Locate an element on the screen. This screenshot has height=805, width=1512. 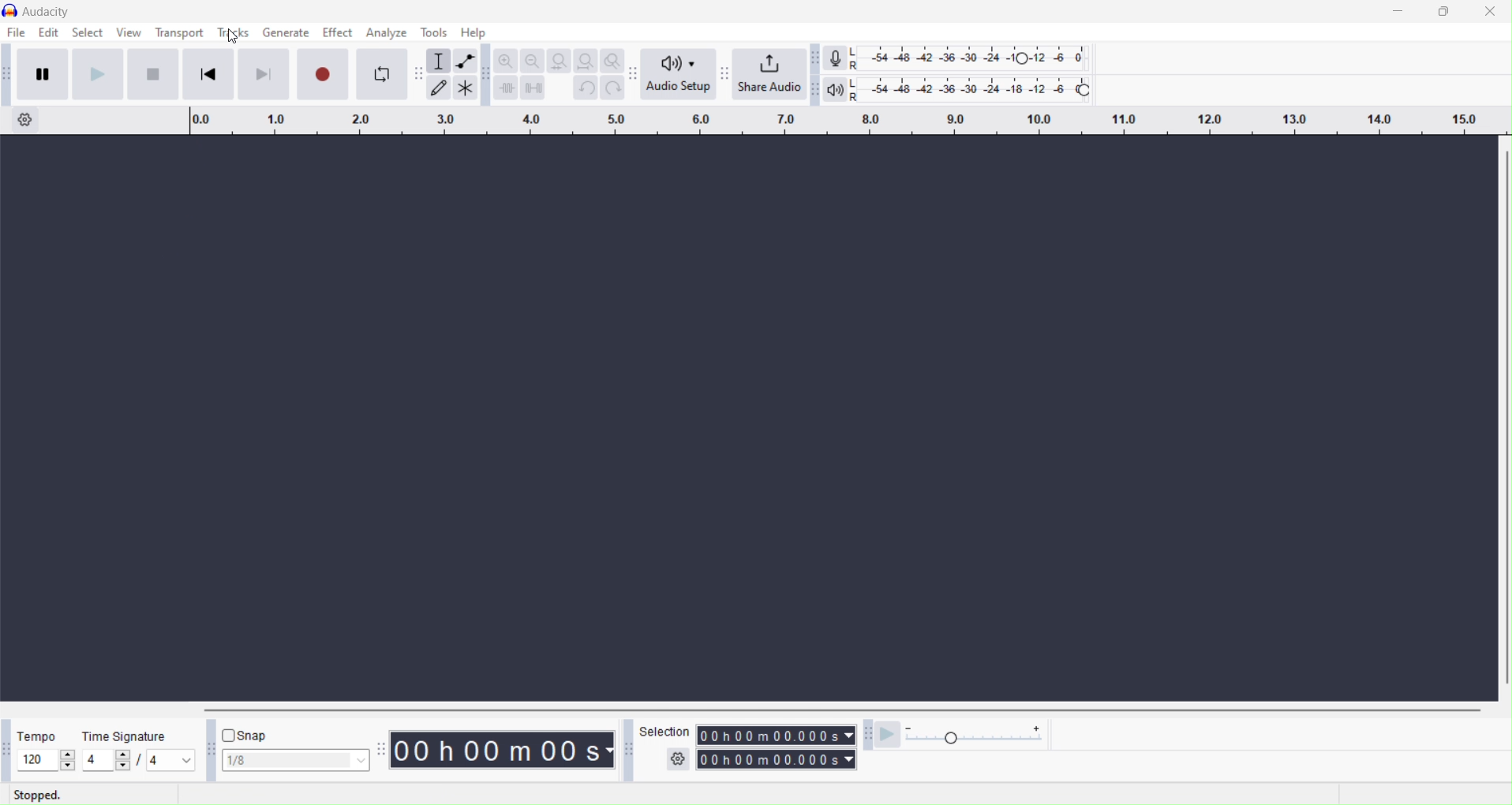
increase beat per measure is located at coordinates (121, 754).